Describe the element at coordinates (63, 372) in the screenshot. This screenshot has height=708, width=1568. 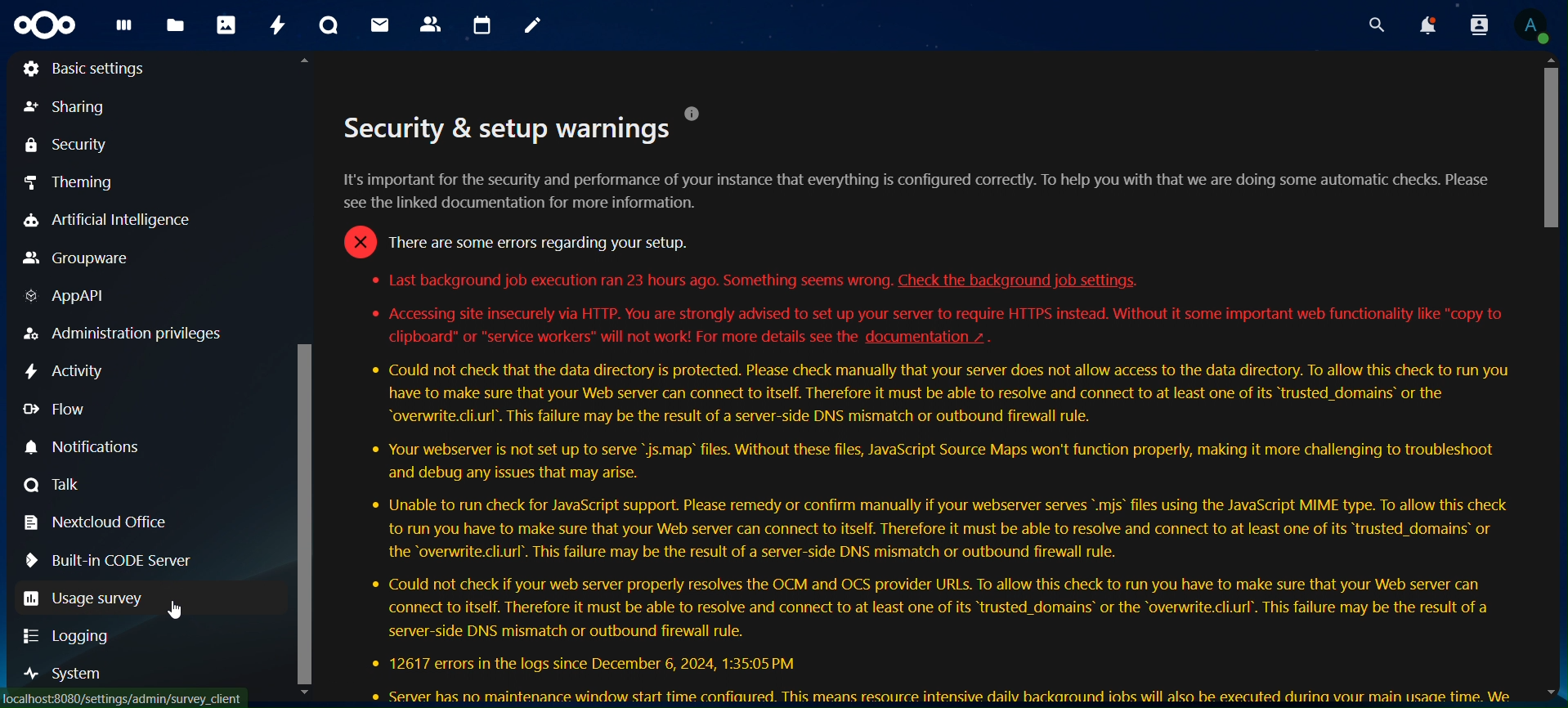
I see `activity` at that location.